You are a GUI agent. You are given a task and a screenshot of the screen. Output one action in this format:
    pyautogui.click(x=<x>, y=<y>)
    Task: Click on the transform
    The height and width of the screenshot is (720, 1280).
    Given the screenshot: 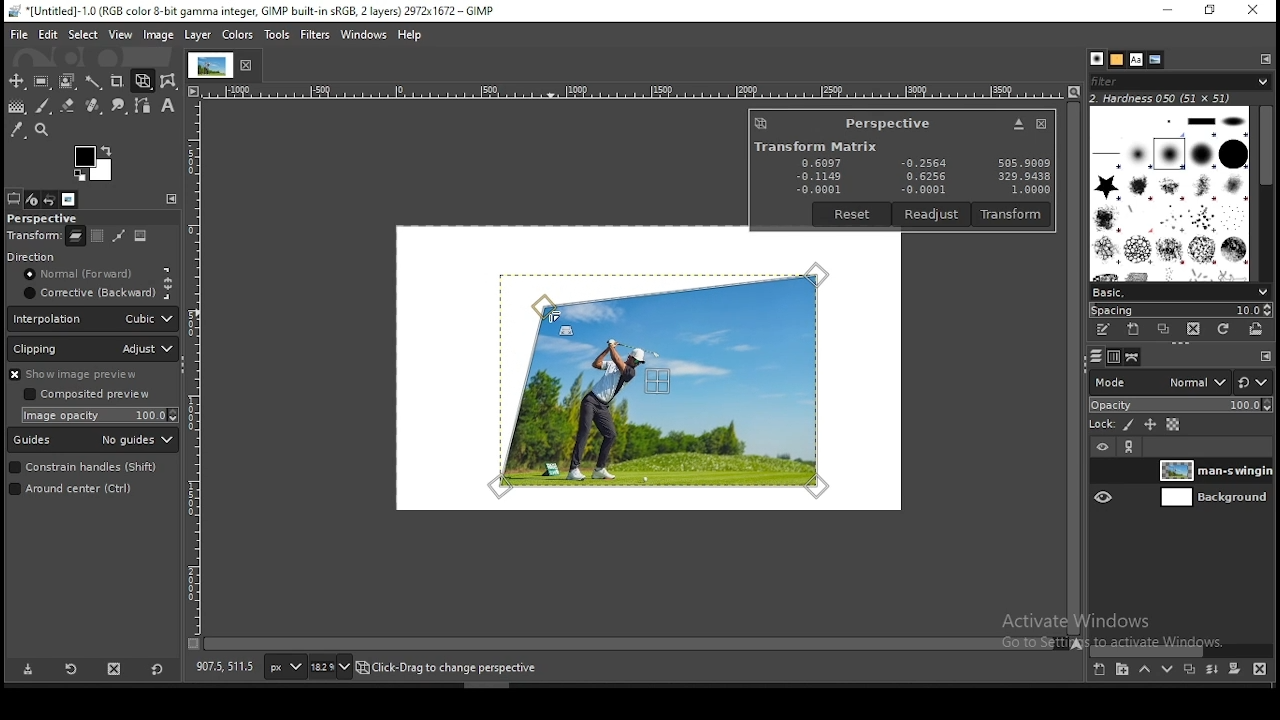 What is the action you would take?
    pyautogui.click(x=1013, y=214)
    